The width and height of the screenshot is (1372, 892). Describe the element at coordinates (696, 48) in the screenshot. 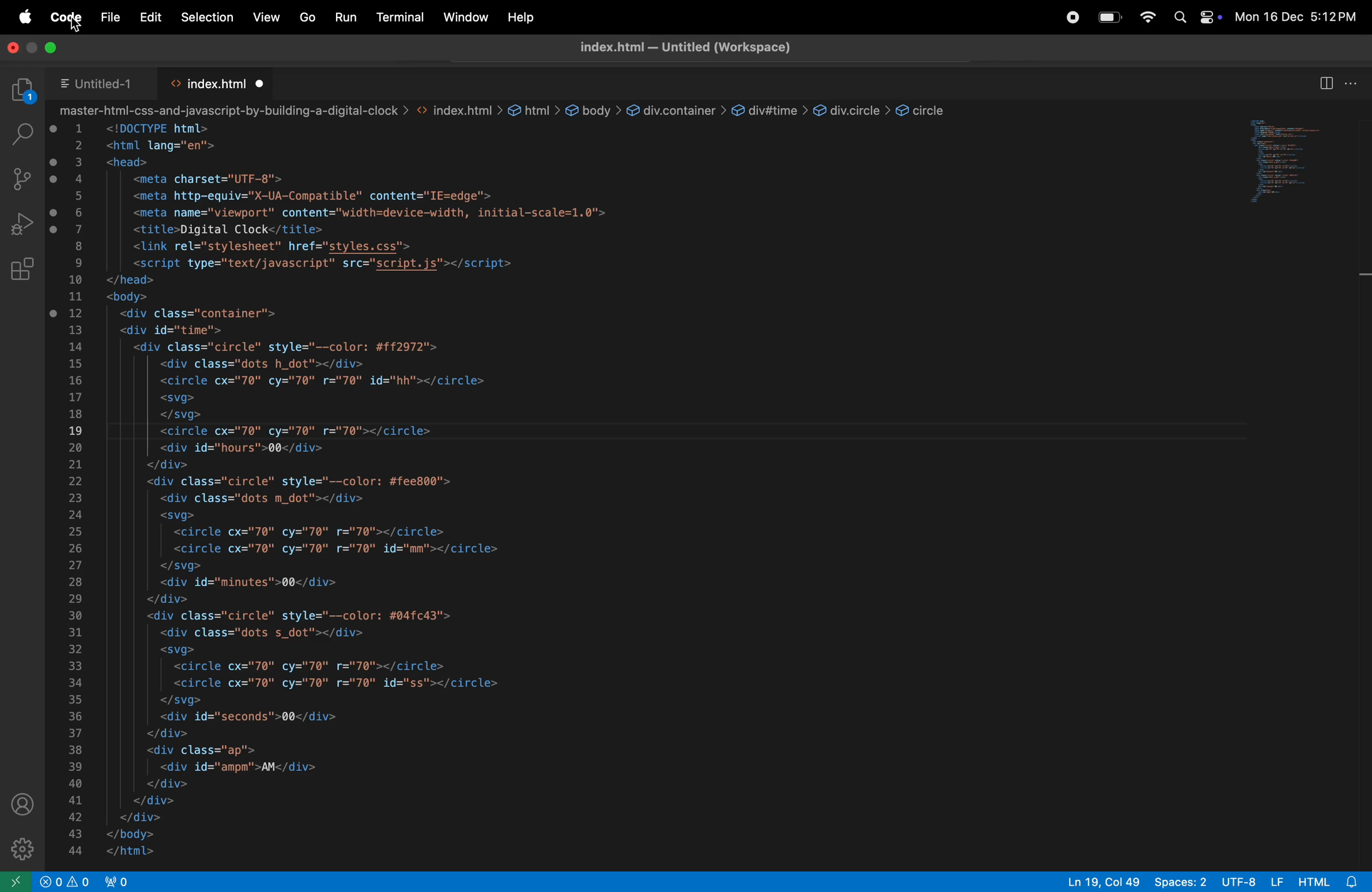

I see `index title- untitled workspace` at that location.